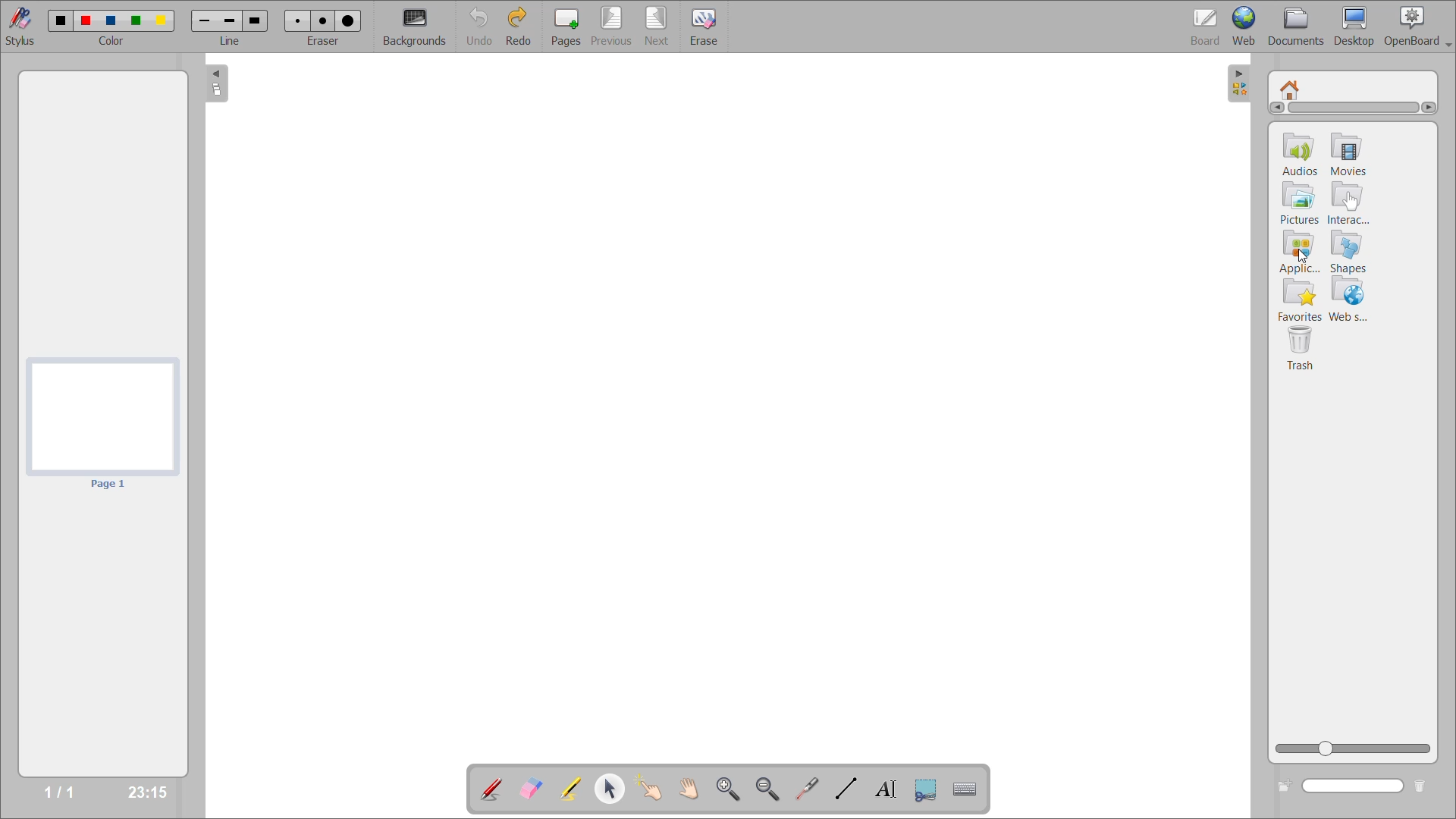 Image resolution: width=1456 pixels, height=819 pixels. I want to click on previous, so click(612, 25).